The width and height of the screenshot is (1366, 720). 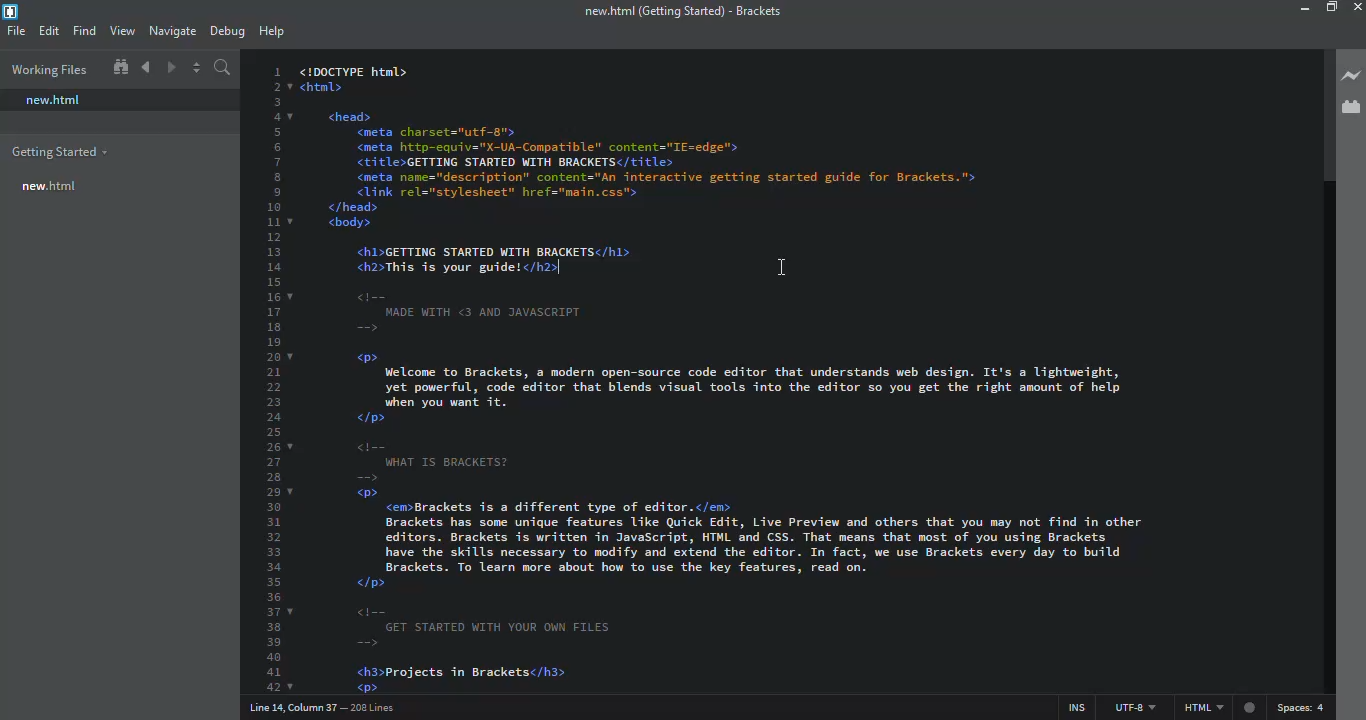 What do you see at coordinates (87, 31) in the screenshot?
I see `find` at bounding box center [87, 31].